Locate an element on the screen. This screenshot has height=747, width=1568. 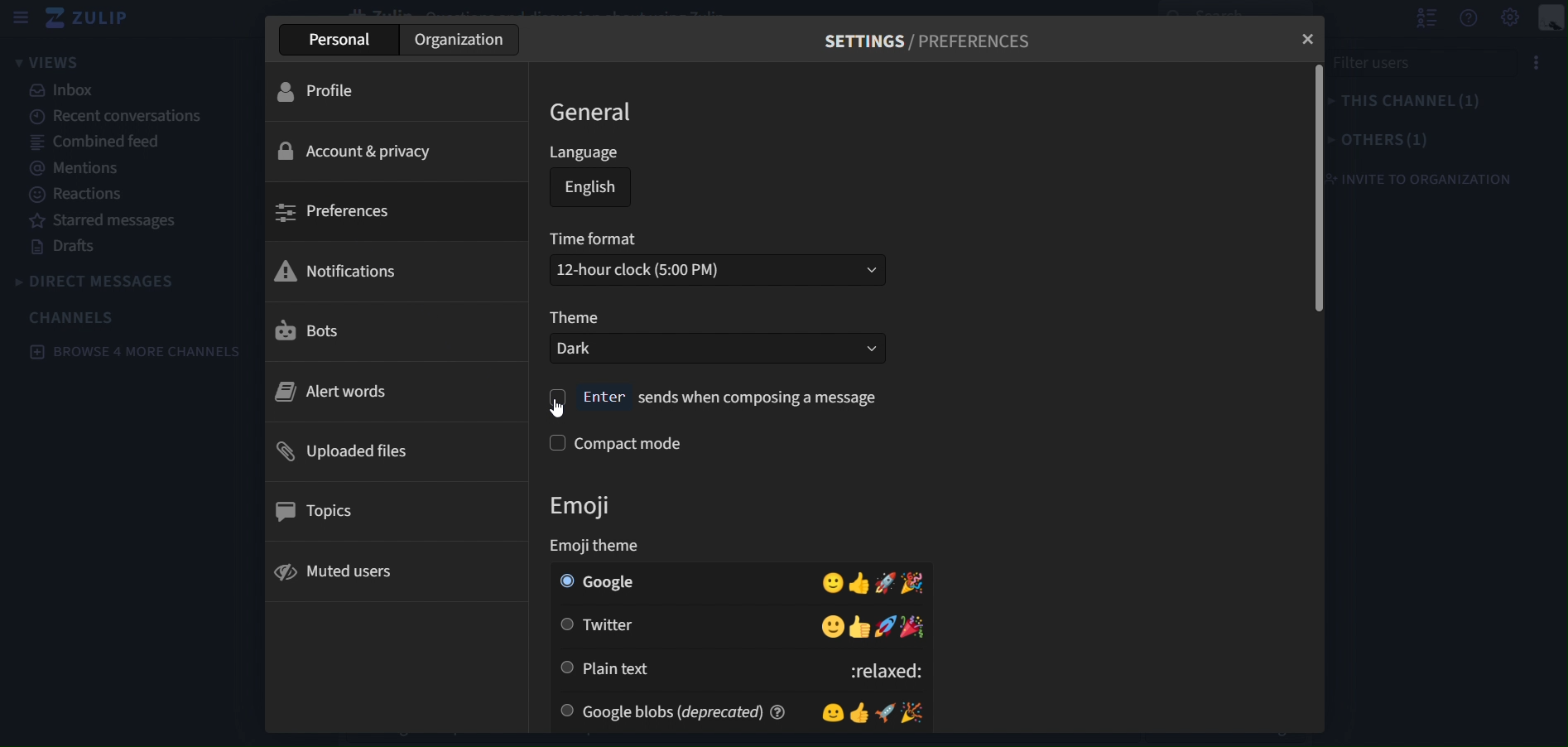
drafts is located at coordinates (64, 247).